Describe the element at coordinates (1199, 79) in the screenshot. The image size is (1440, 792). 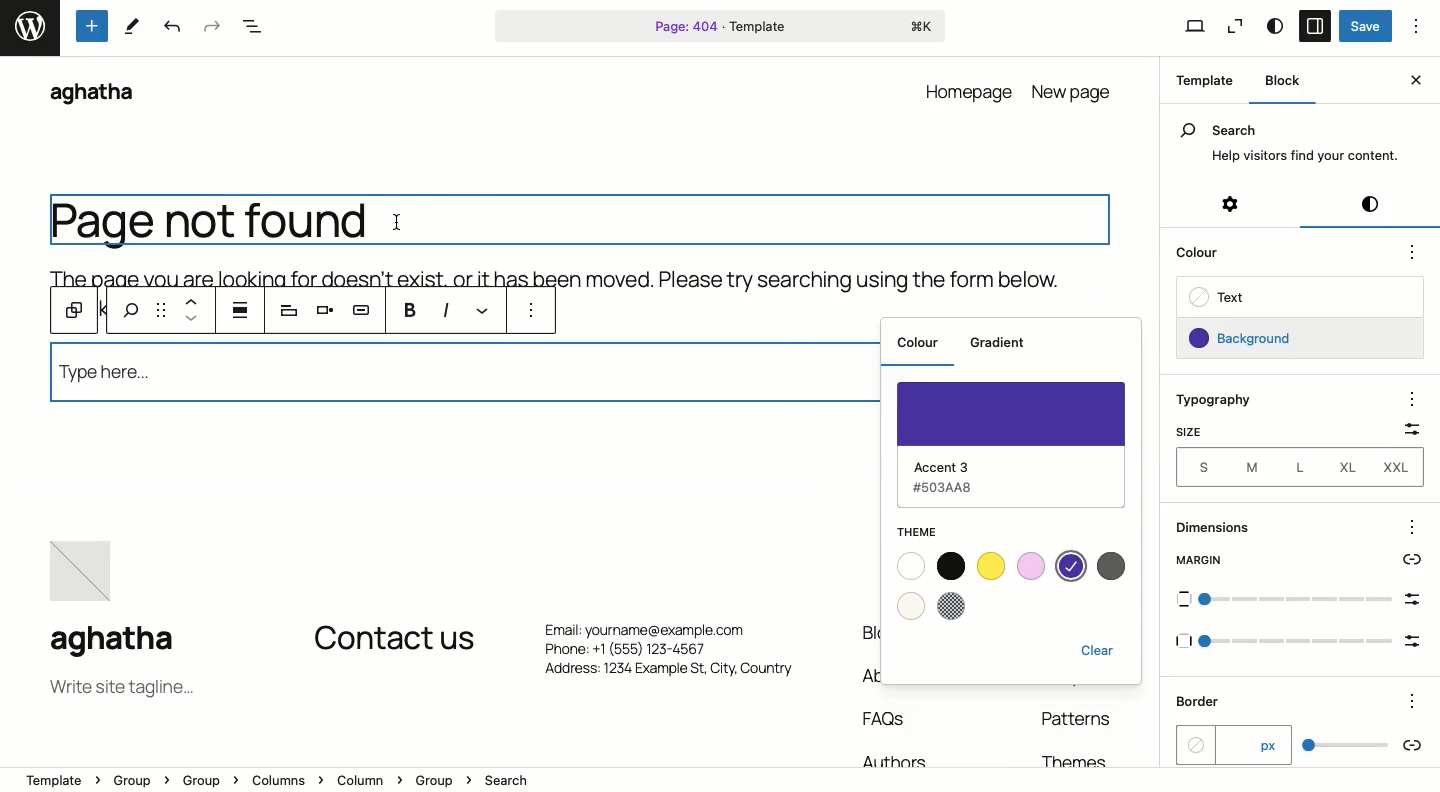
I see `Template` at that location.